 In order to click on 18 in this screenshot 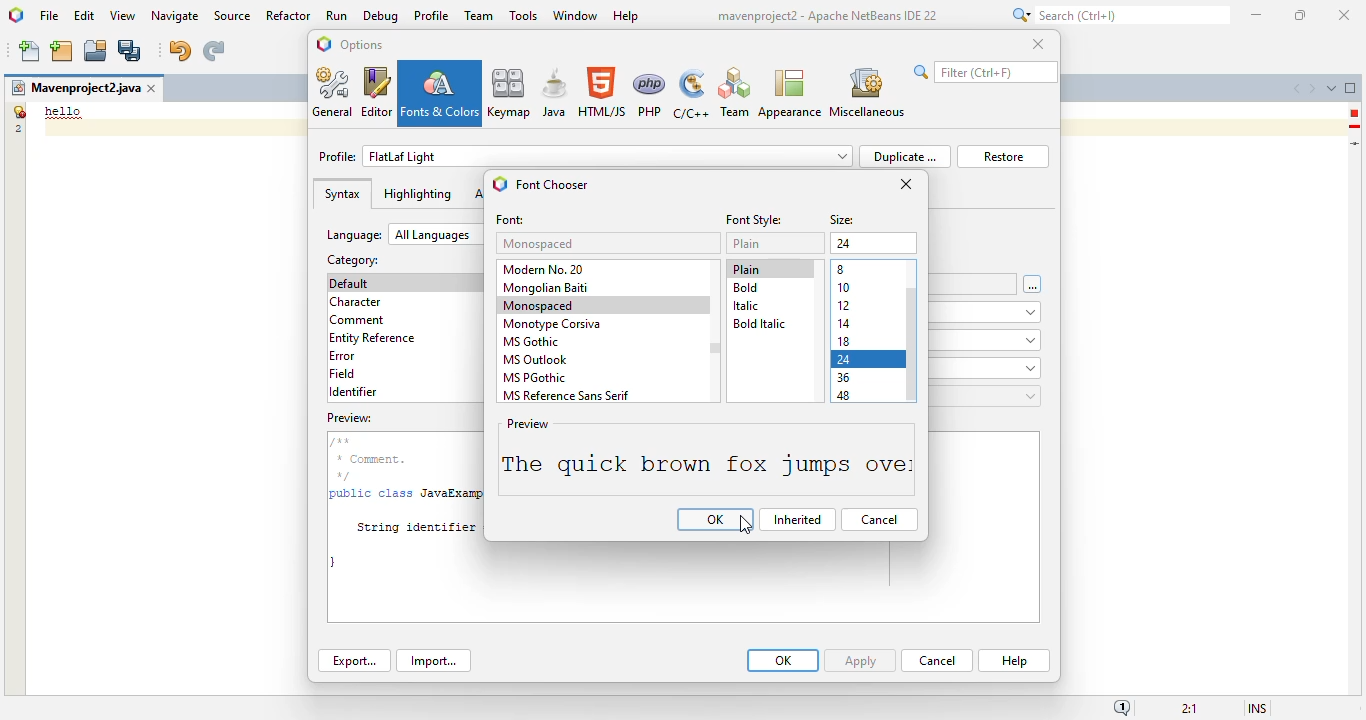, I will do `click(844, 341)`.